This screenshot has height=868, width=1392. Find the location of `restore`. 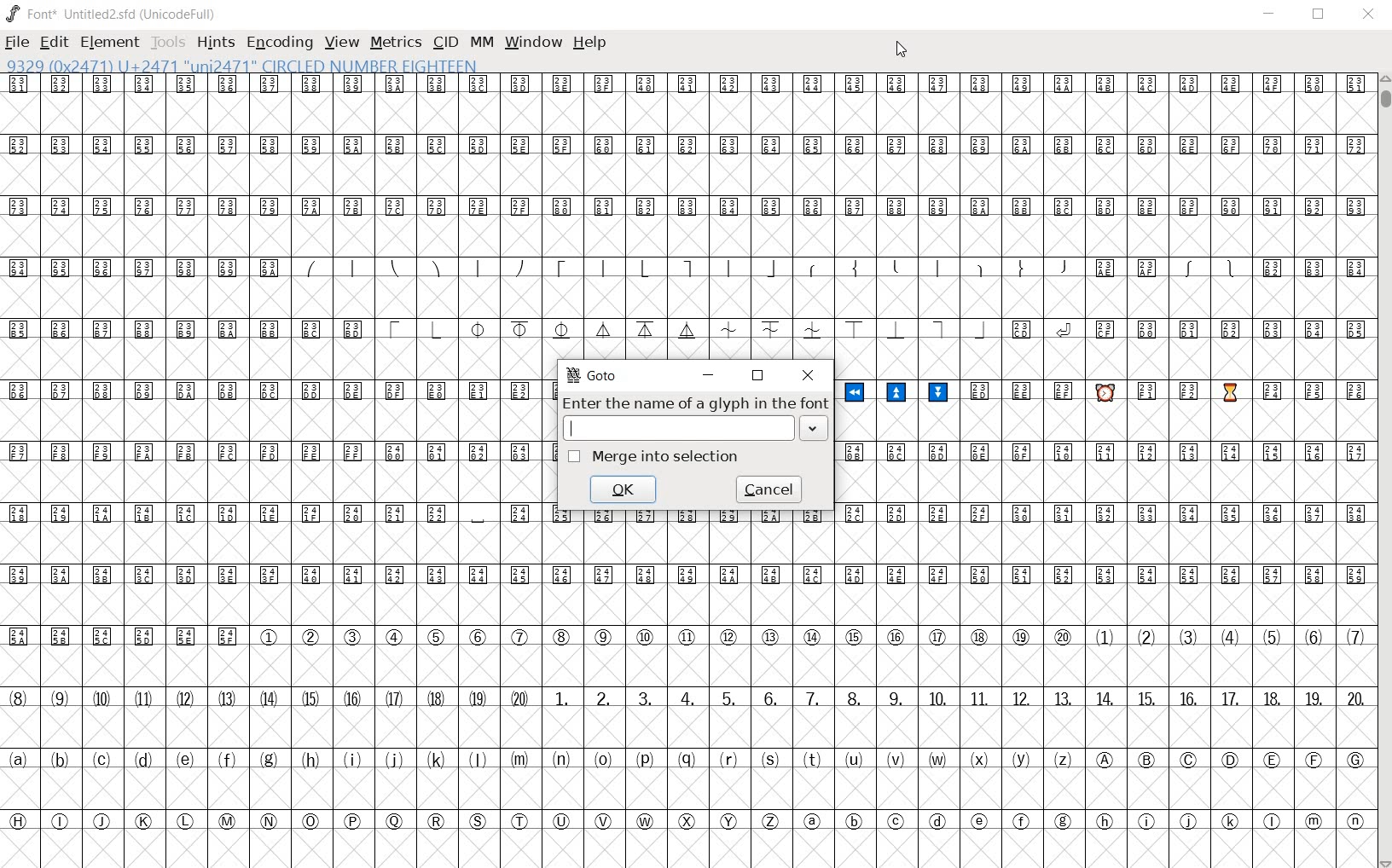

restore is located at coordinates (1319, 14).